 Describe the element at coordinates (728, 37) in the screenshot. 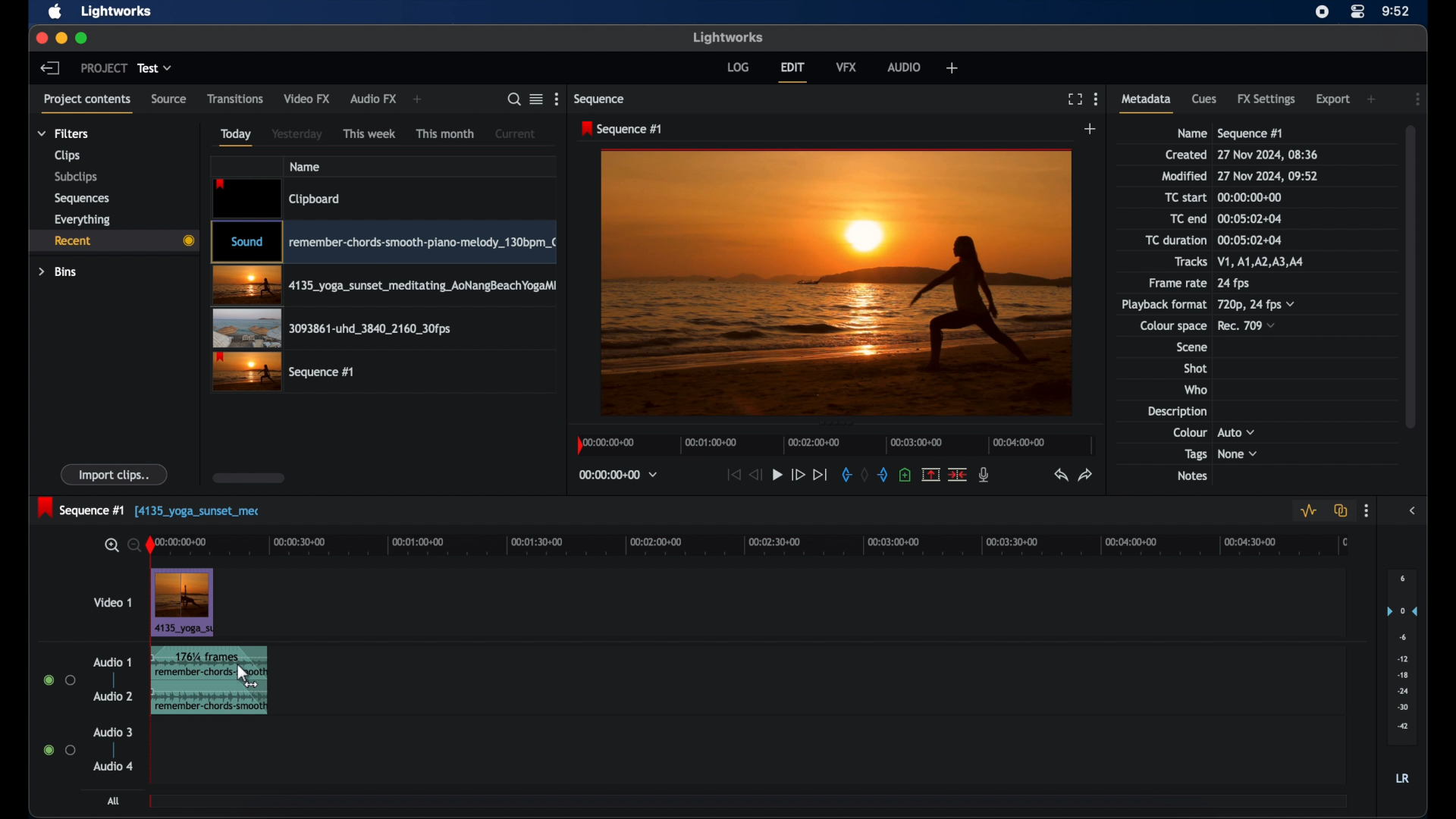

I see `lightworks` at that location.